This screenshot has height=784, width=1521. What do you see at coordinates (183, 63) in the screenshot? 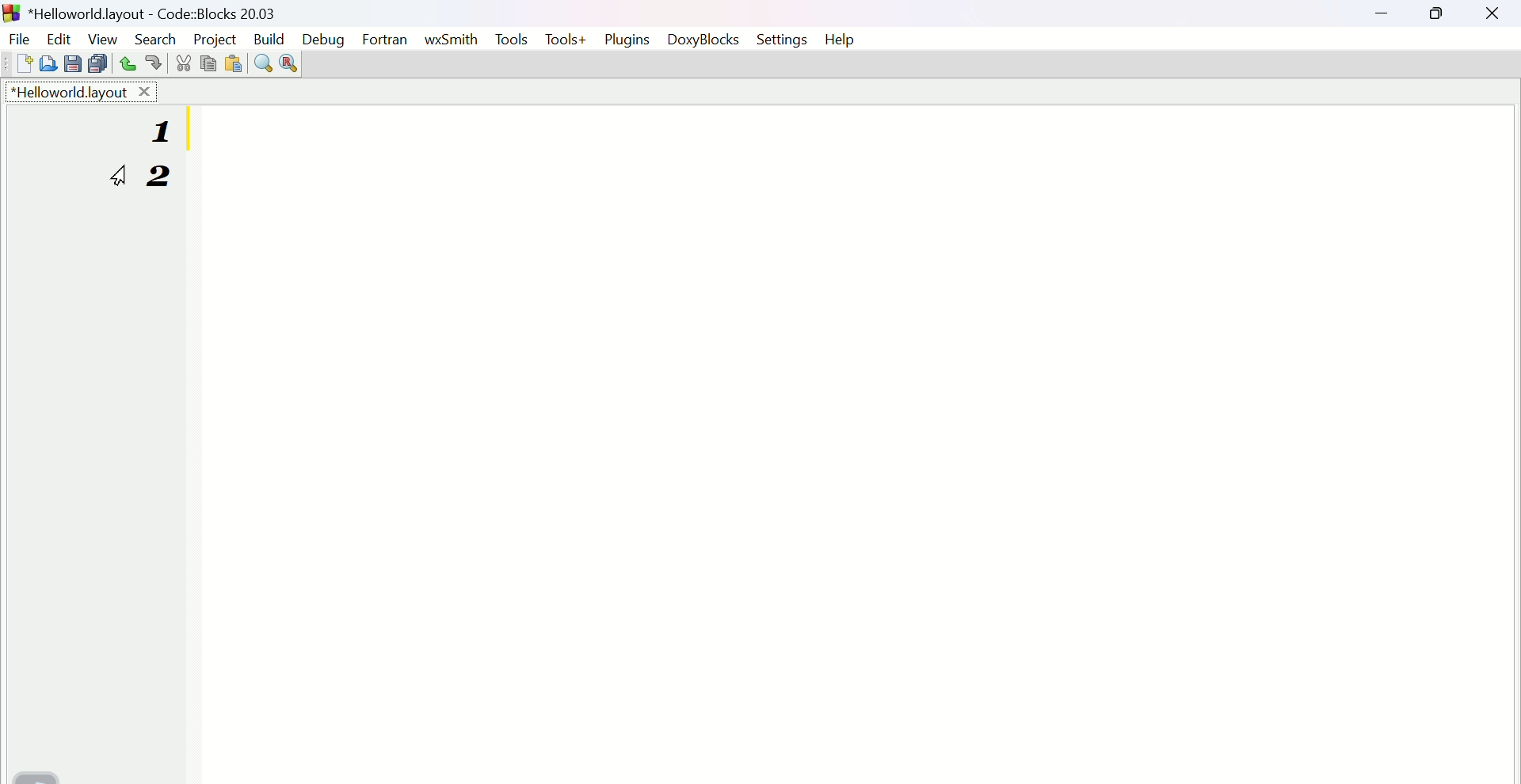
I see `cut` at bounding box center [183, 63].